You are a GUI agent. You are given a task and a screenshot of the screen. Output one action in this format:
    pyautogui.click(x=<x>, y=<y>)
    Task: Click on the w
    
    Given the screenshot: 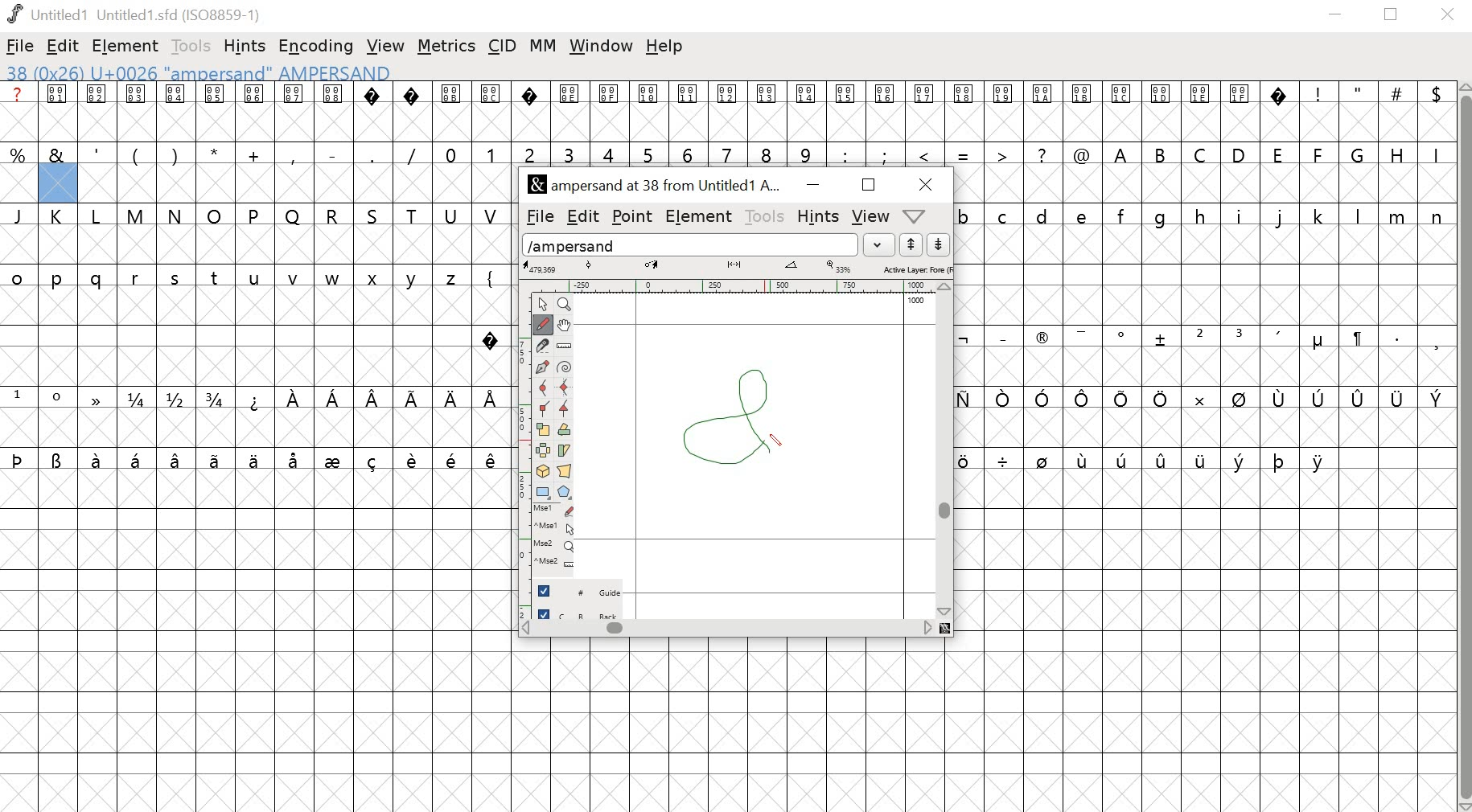 What is the action you would take?
    pyautogui.click(x=333, y=280)
    